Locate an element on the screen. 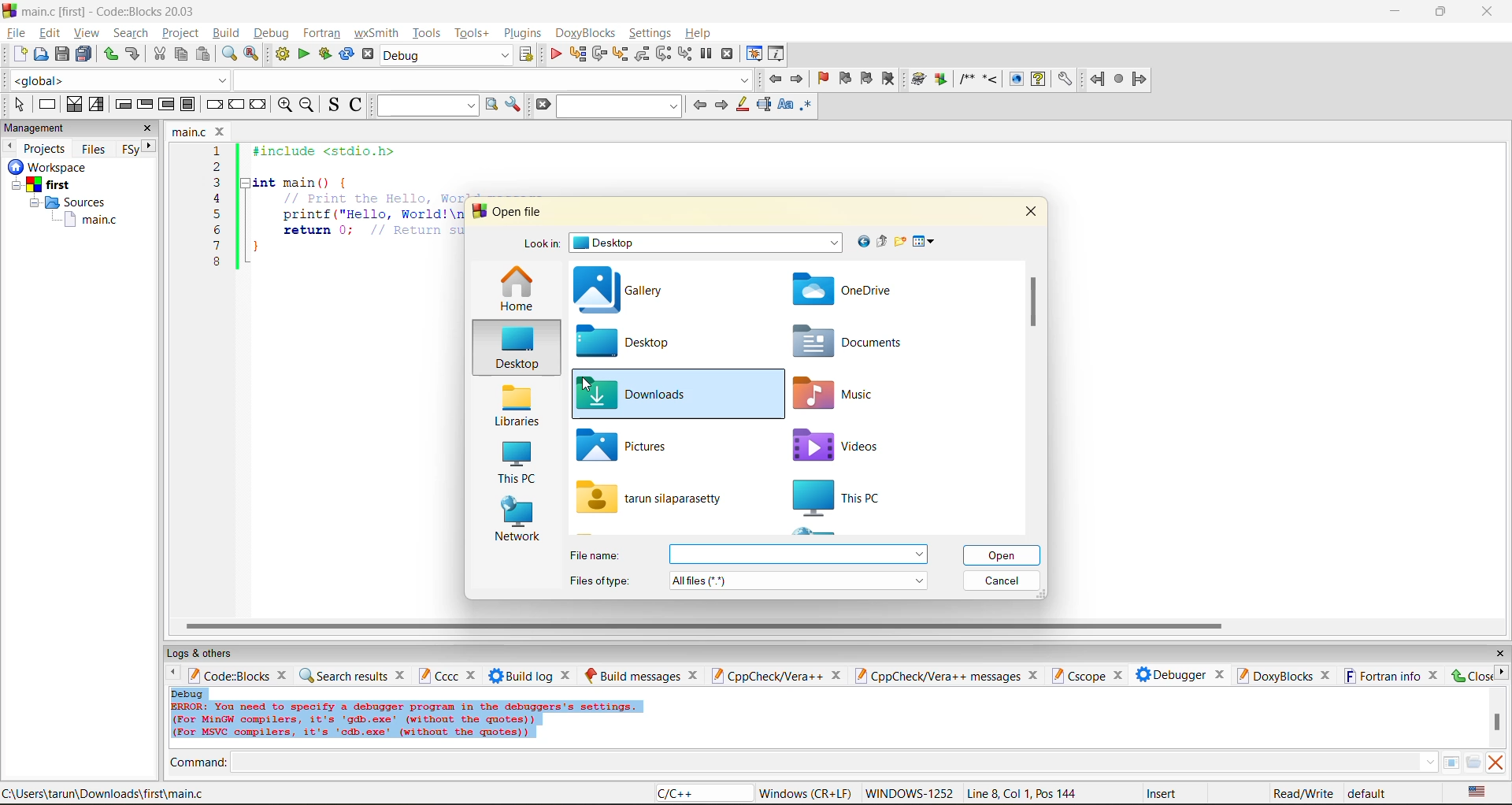 The width and height of the screenshot is (1512, 805). file name is located at coordinates (598, 555).